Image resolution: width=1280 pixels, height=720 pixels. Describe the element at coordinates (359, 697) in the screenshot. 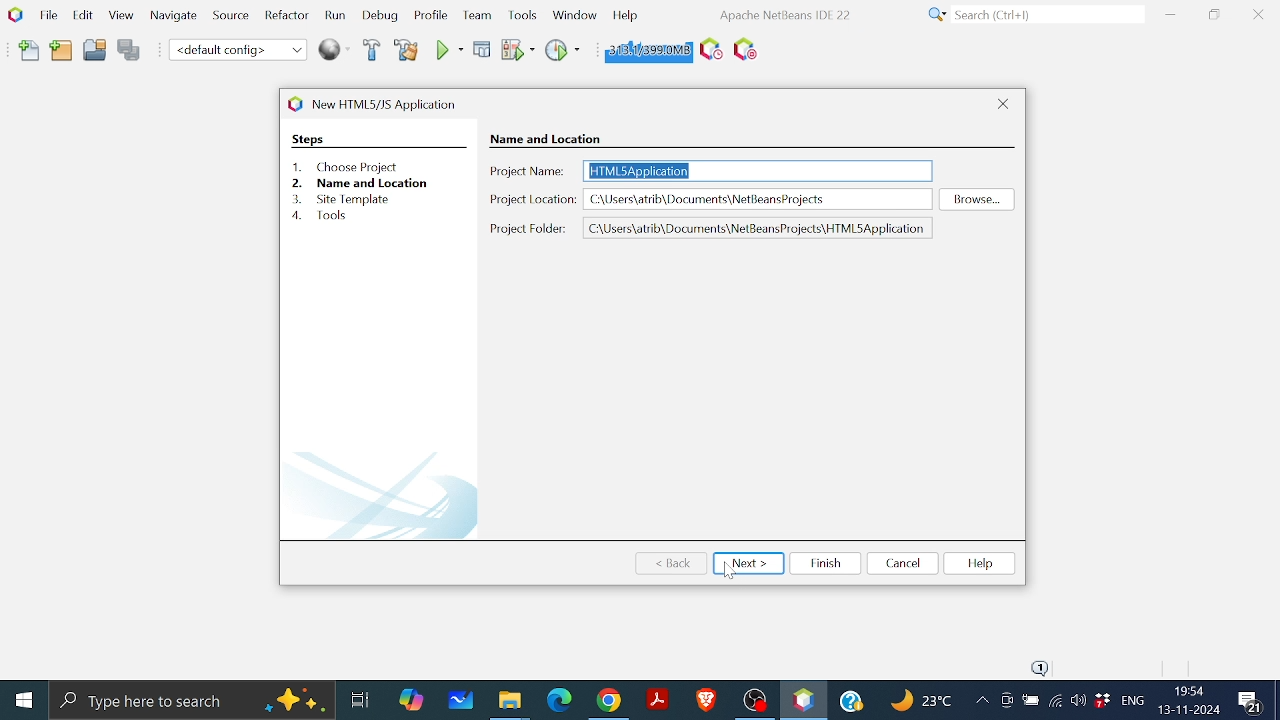

I see `Task view` at that location.